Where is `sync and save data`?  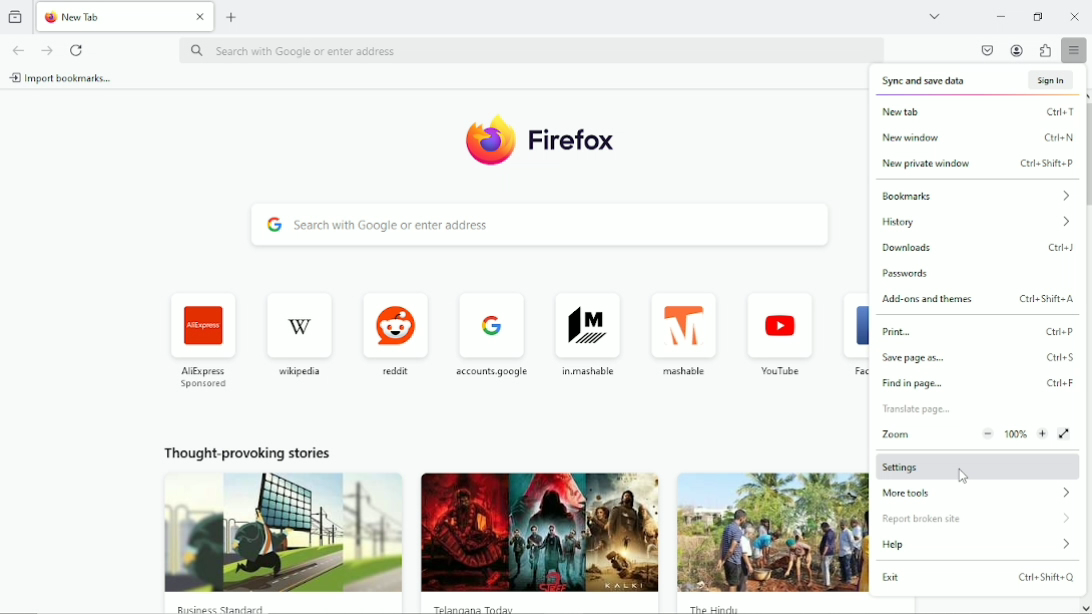 sync and save data is located at coordinates (979, 79).